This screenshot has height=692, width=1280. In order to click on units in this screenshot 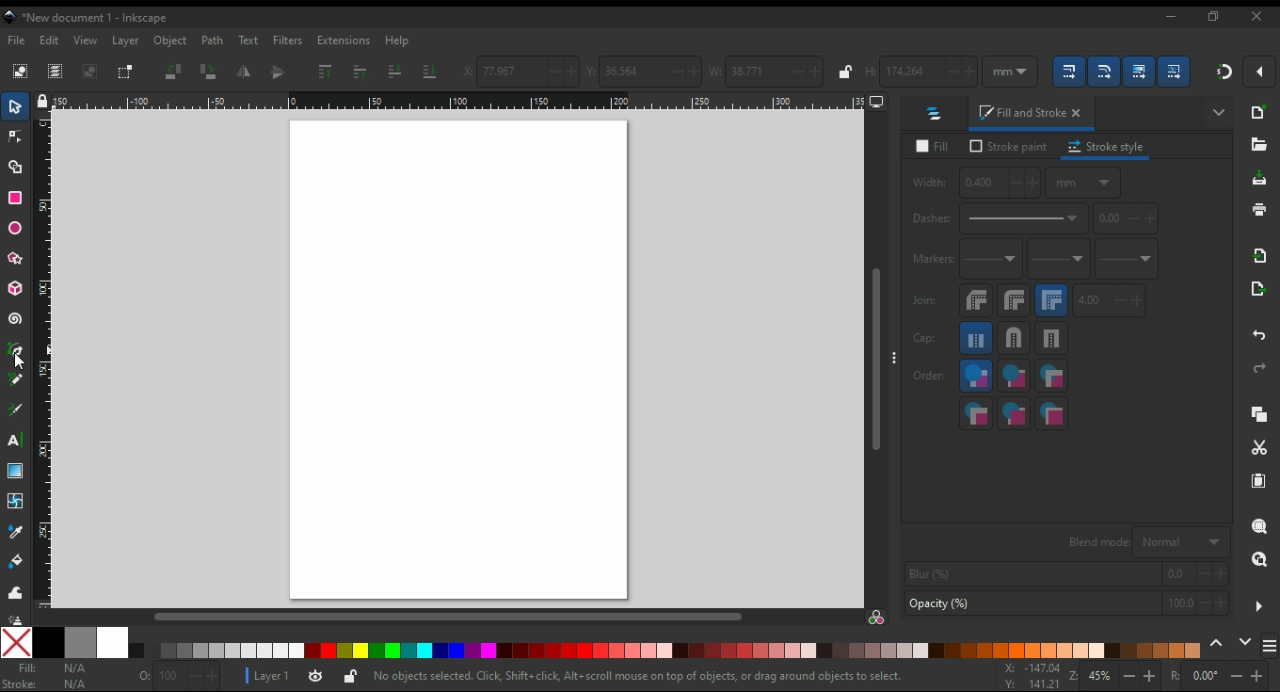, I will do `click(1084, 182)`.